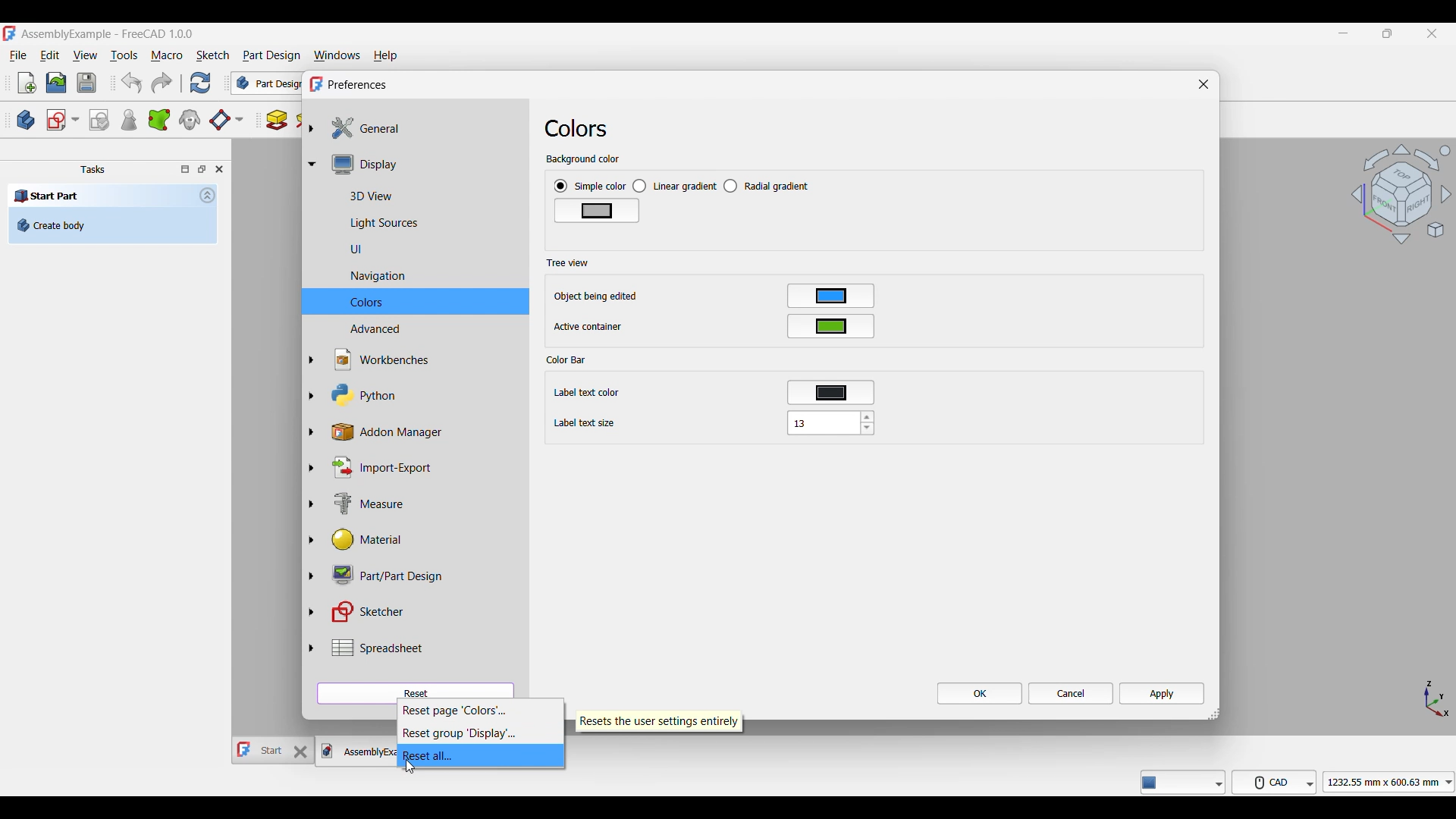 This screenshot has height=819, width=1456. What do you see at coordinates (185, 169) in the screenshot?
I see `Toggle overlay` at bounding box center [185, 169].